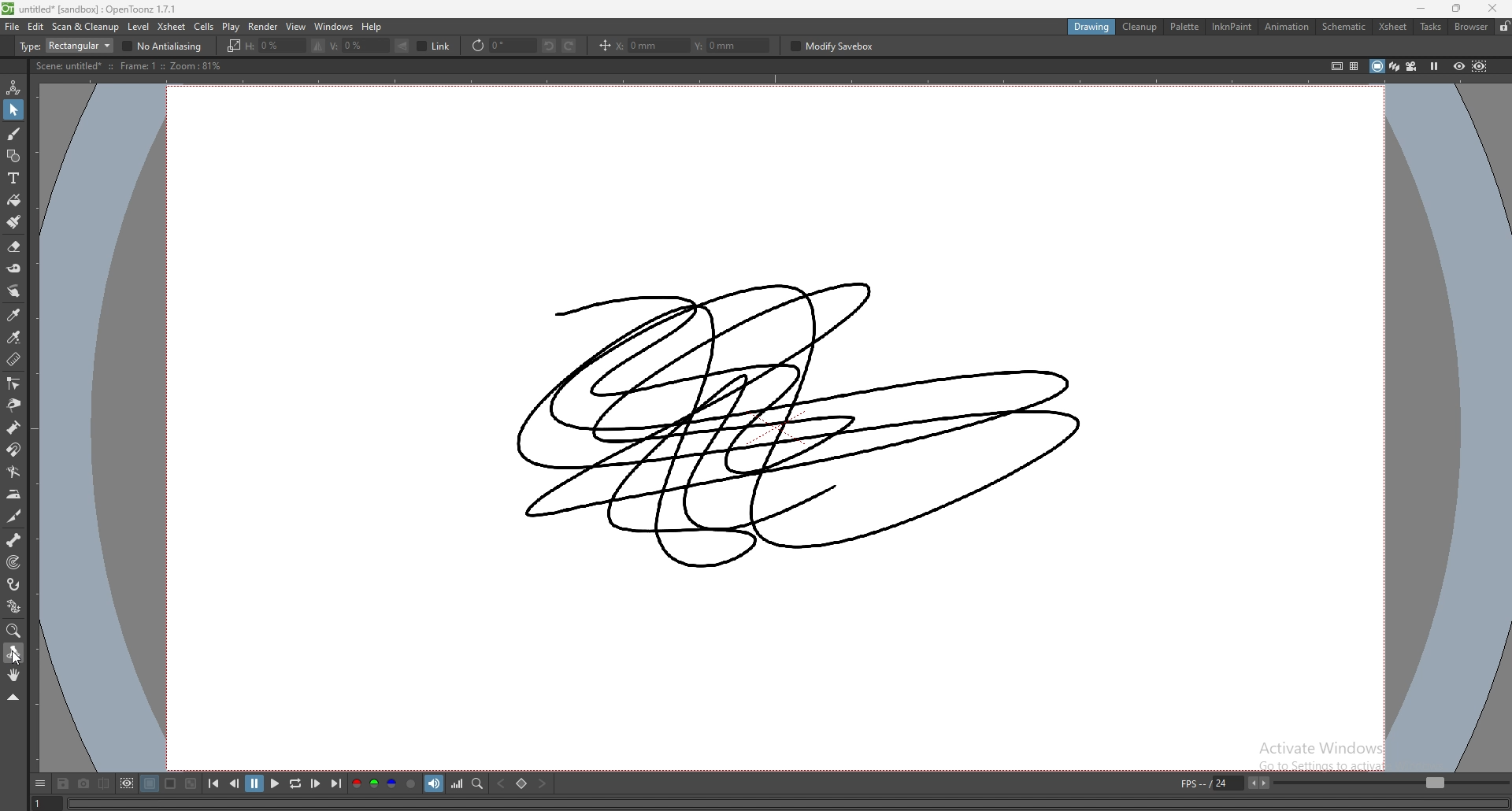 This screenshot has width=1512, height=811. I want to click on play, so click(232, 26).